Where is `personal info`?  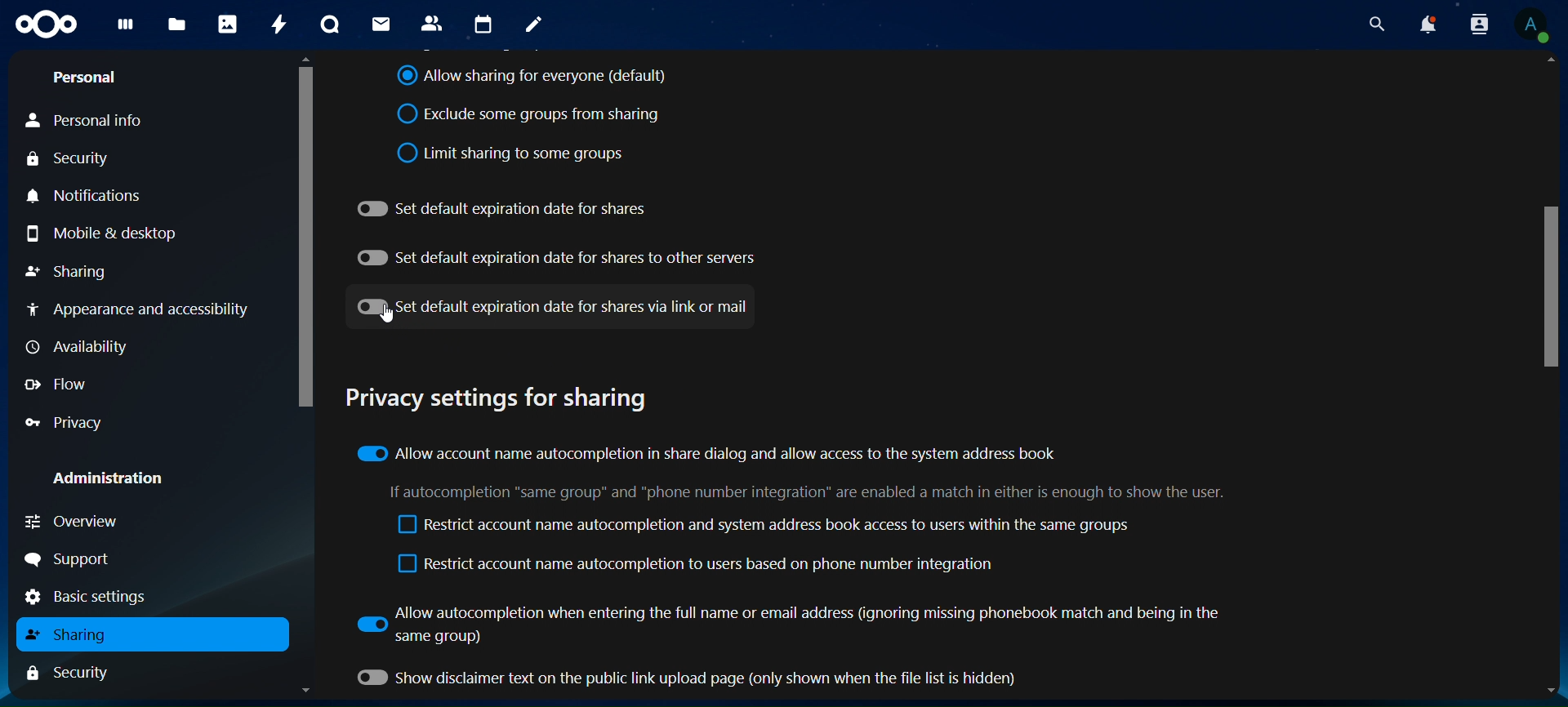
personal info is located at coordinates (90, 121).